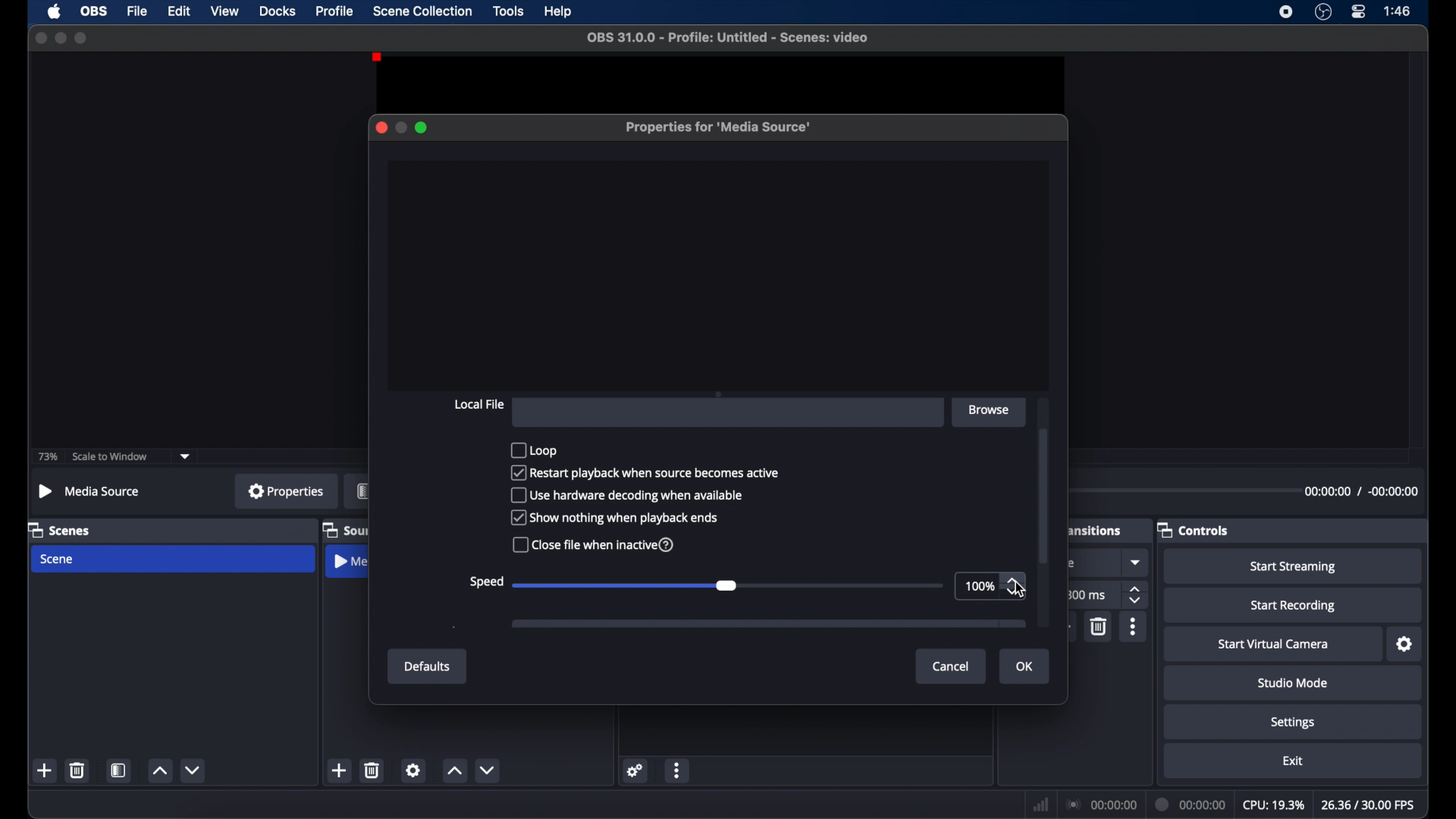 The height and width of the screenshot is (819, 1456). Describe the element at coordinates (1294, 682) in the screenshot. I see `studio mode` at that location.